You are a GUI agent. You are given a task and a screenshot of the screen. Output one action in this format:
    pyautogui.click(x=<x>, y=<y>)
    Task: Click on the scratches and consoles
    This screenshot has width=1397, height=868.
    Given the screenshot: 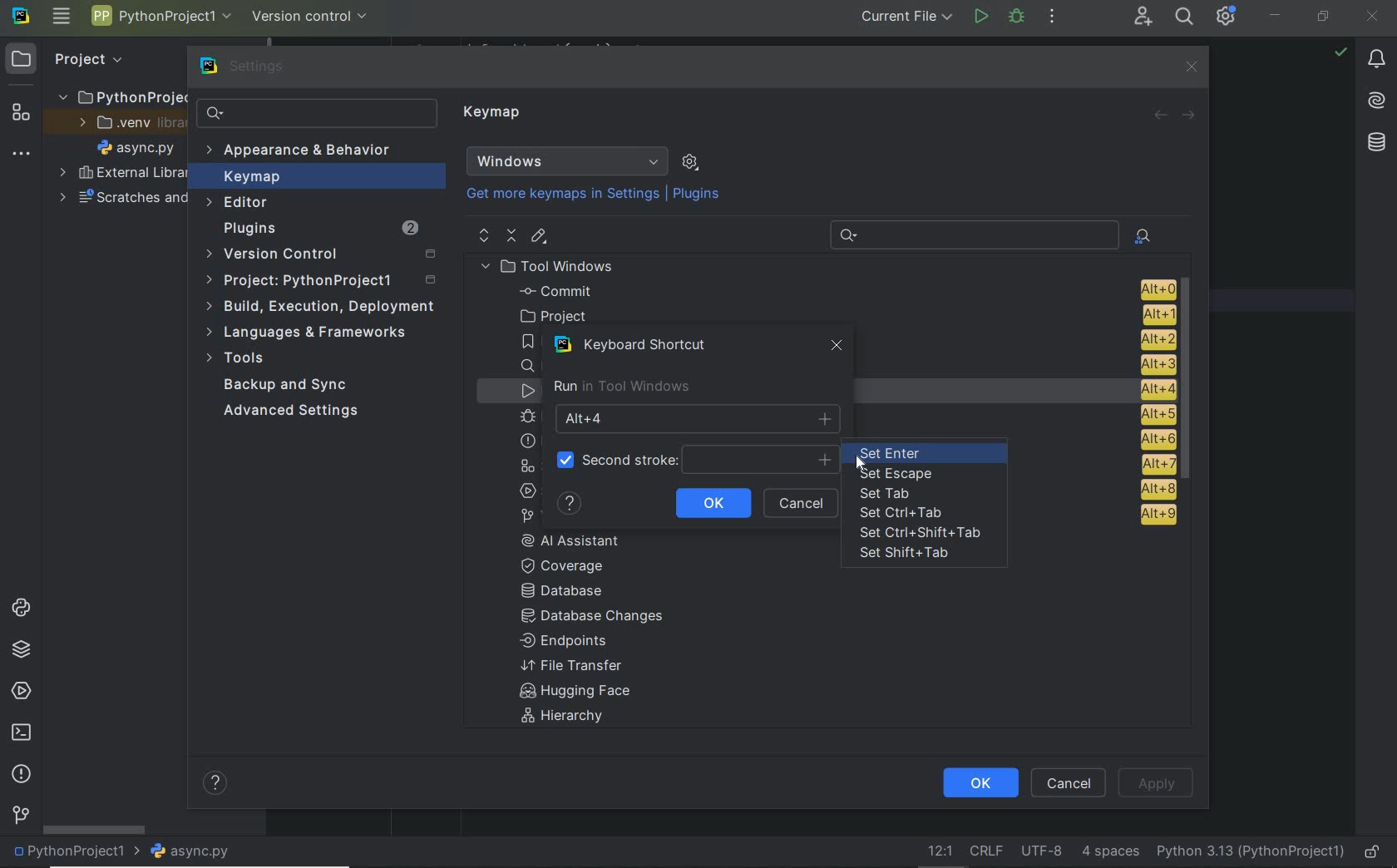 What is the action you would take?
    pyautogui.click(x=122, y=199)
    